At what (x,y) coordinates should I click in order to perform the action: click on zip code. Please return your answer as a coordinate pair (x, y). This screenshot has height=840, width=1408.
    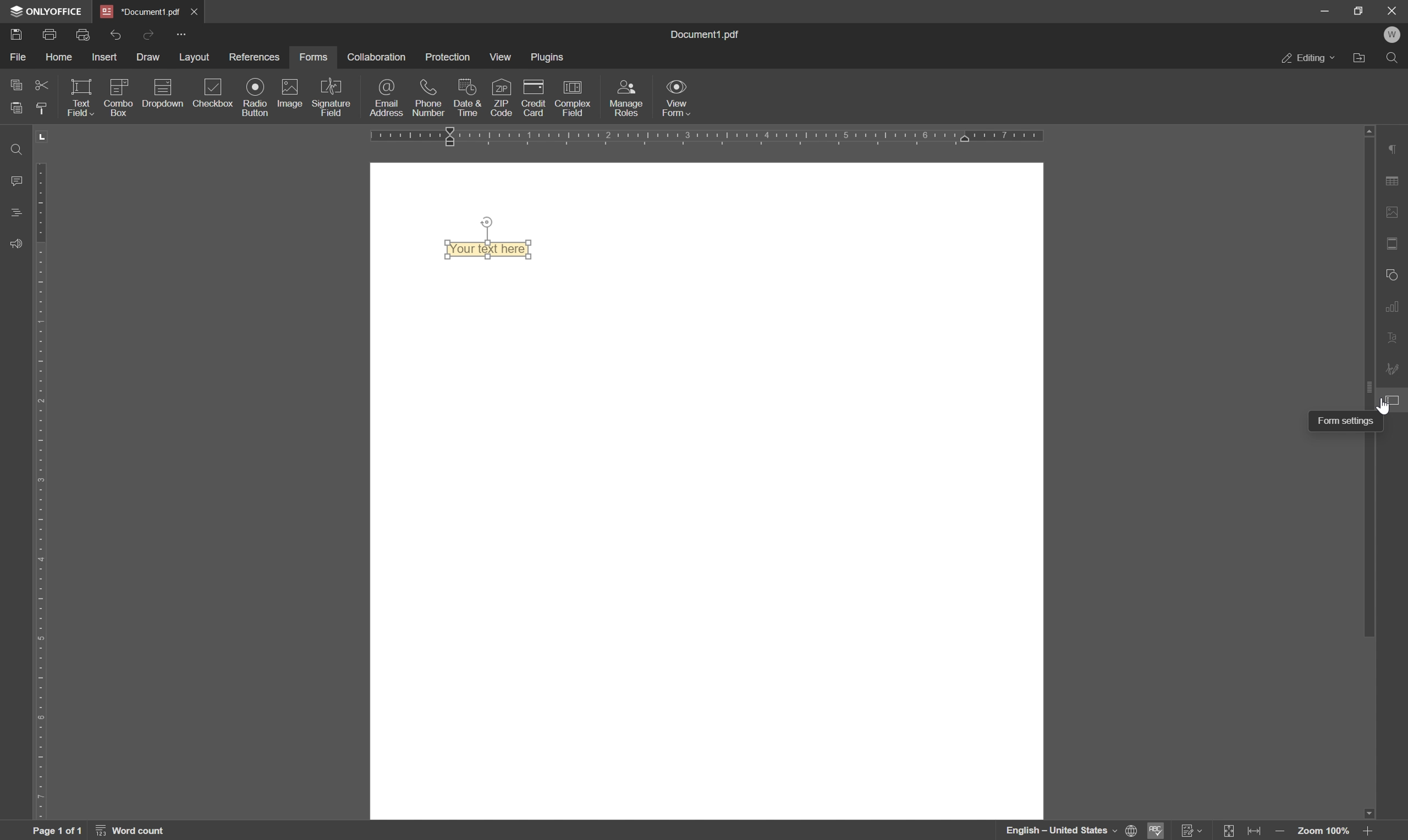
    Looking at the image, I should click on (502, 97).